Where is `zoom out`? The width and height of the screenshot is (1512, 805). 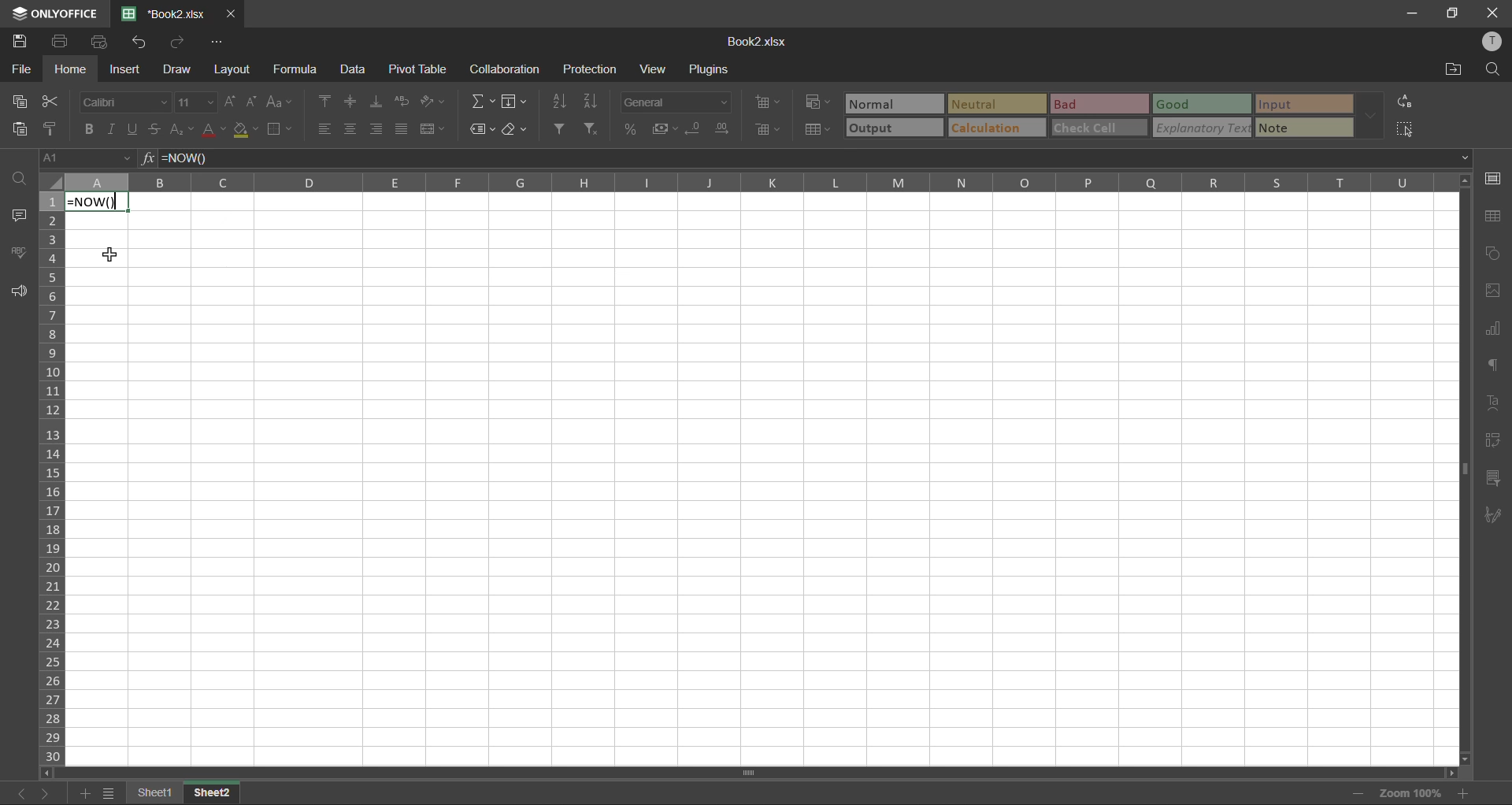 zoom out is located at coordinates (1354, 796).